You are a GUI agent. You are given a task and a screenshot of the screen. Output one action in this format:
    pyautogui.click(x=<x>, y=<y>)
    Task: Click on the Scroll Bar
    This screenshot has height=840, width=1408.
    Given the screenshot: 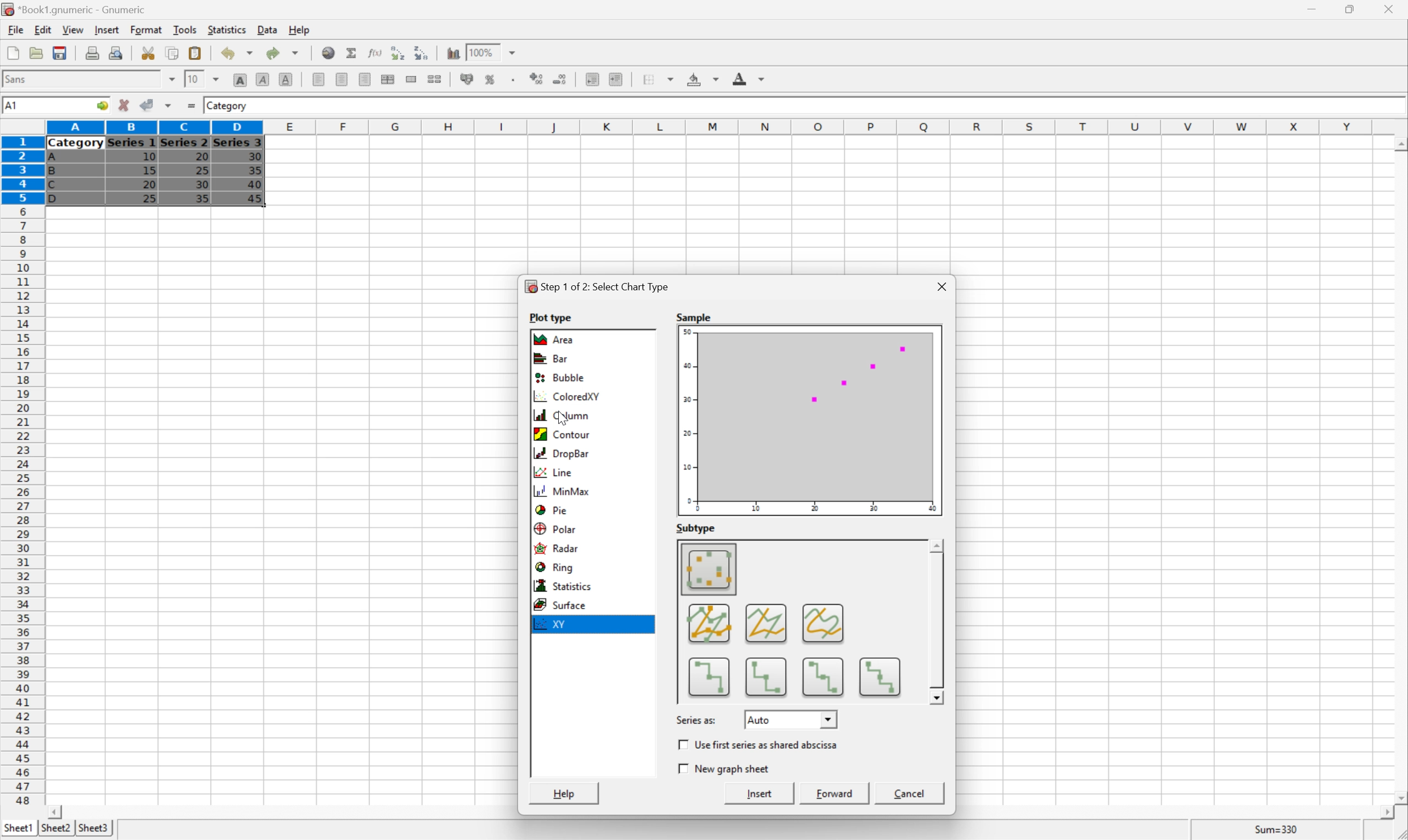 What is the action you would take?
    pyautogui.click(x=935, y=620)
    